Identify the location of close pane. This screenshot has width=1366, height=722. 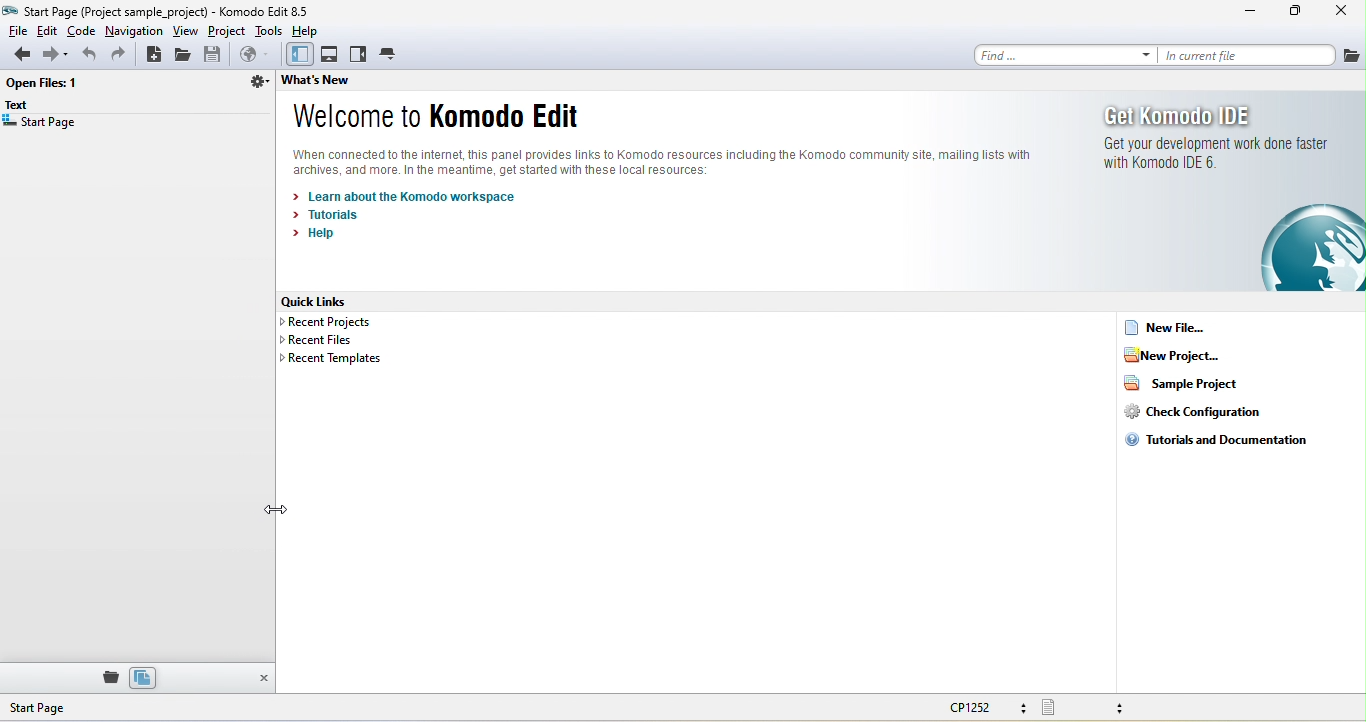
(262, 679).